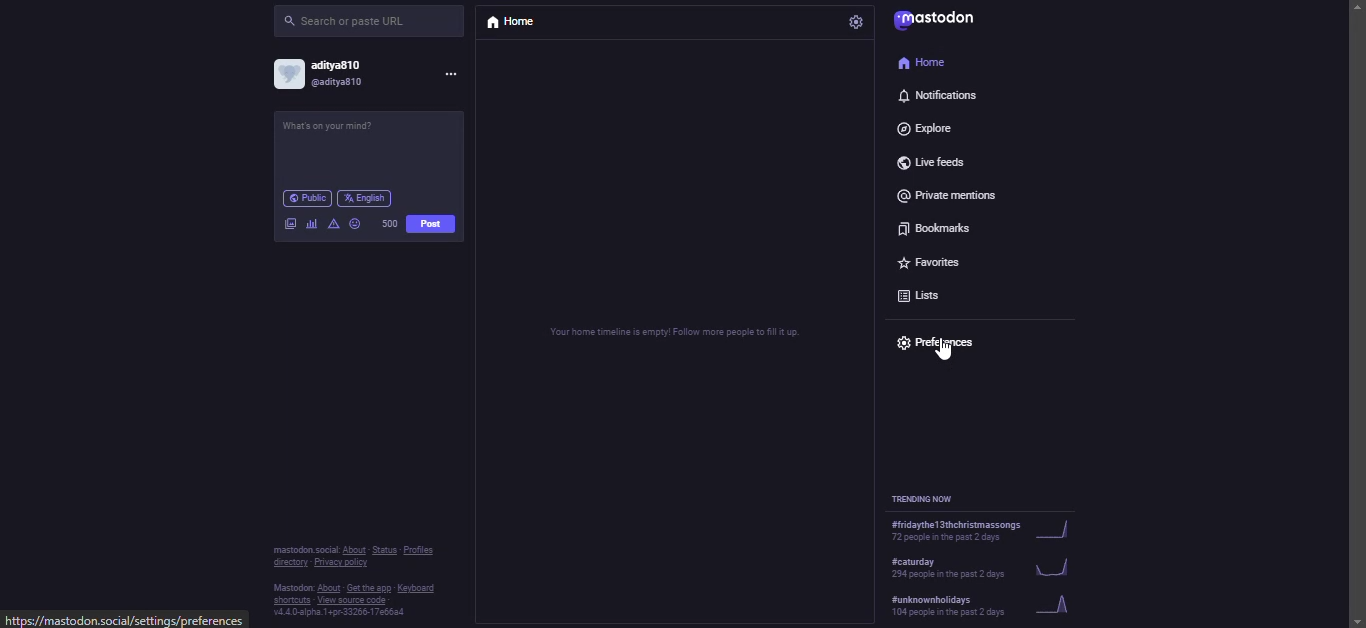 This screenshot has width=1366, height=628. Describe the element at coordinates (938, 259) in the screenshot. I see `favorites` at that location.